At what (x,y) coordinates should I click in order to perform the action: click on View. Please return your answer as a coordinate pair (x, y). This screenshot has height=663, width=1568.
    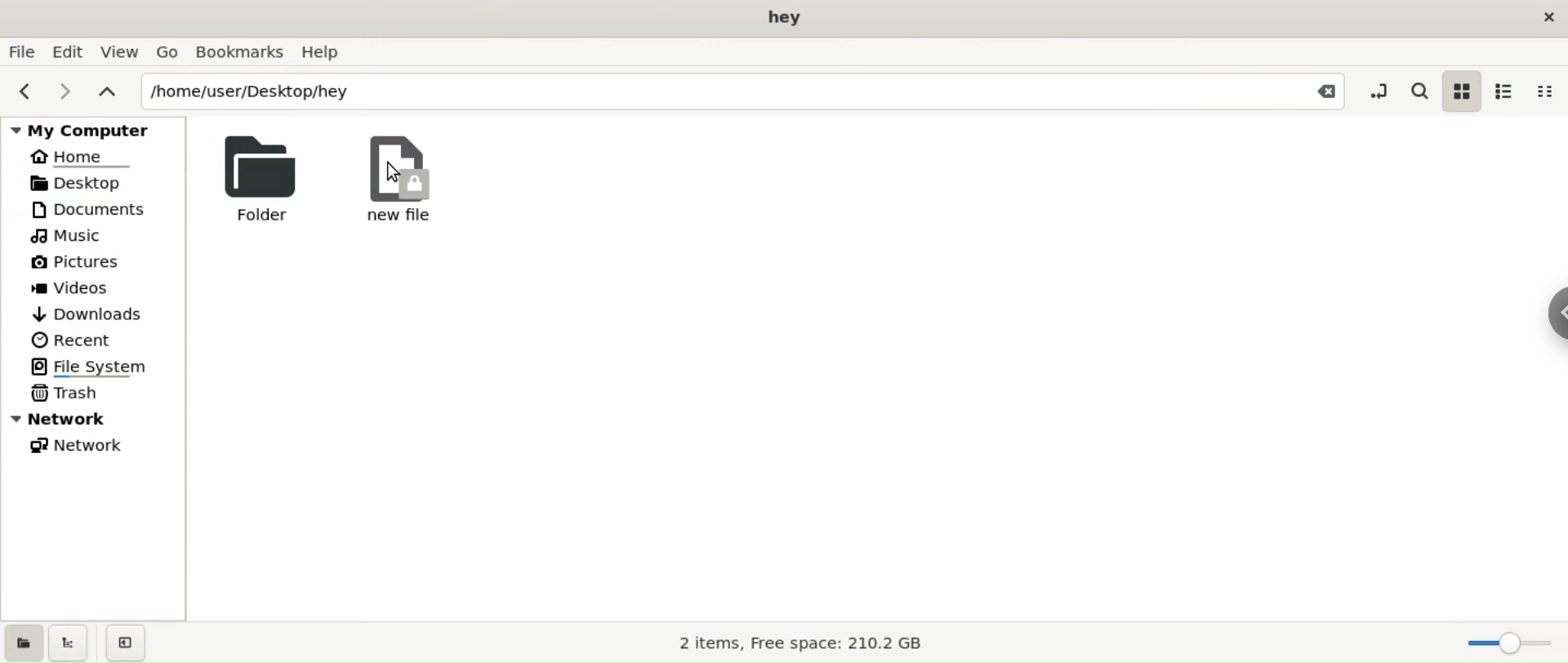
    Looking at the image, I should click on (122, 54).